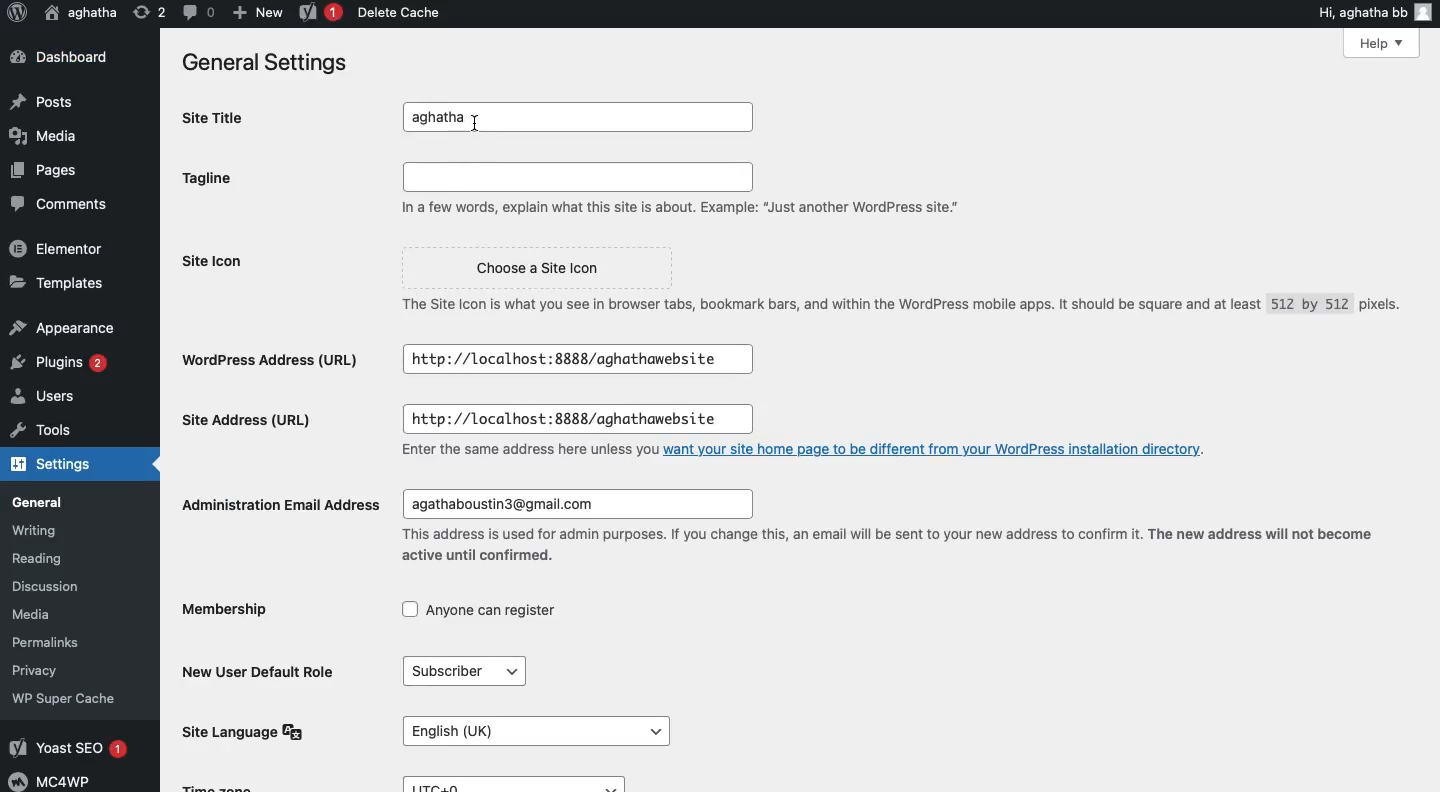 The height and width of the screenshot is (792, 1440). I want to click on Elementor, so click(53, 247).